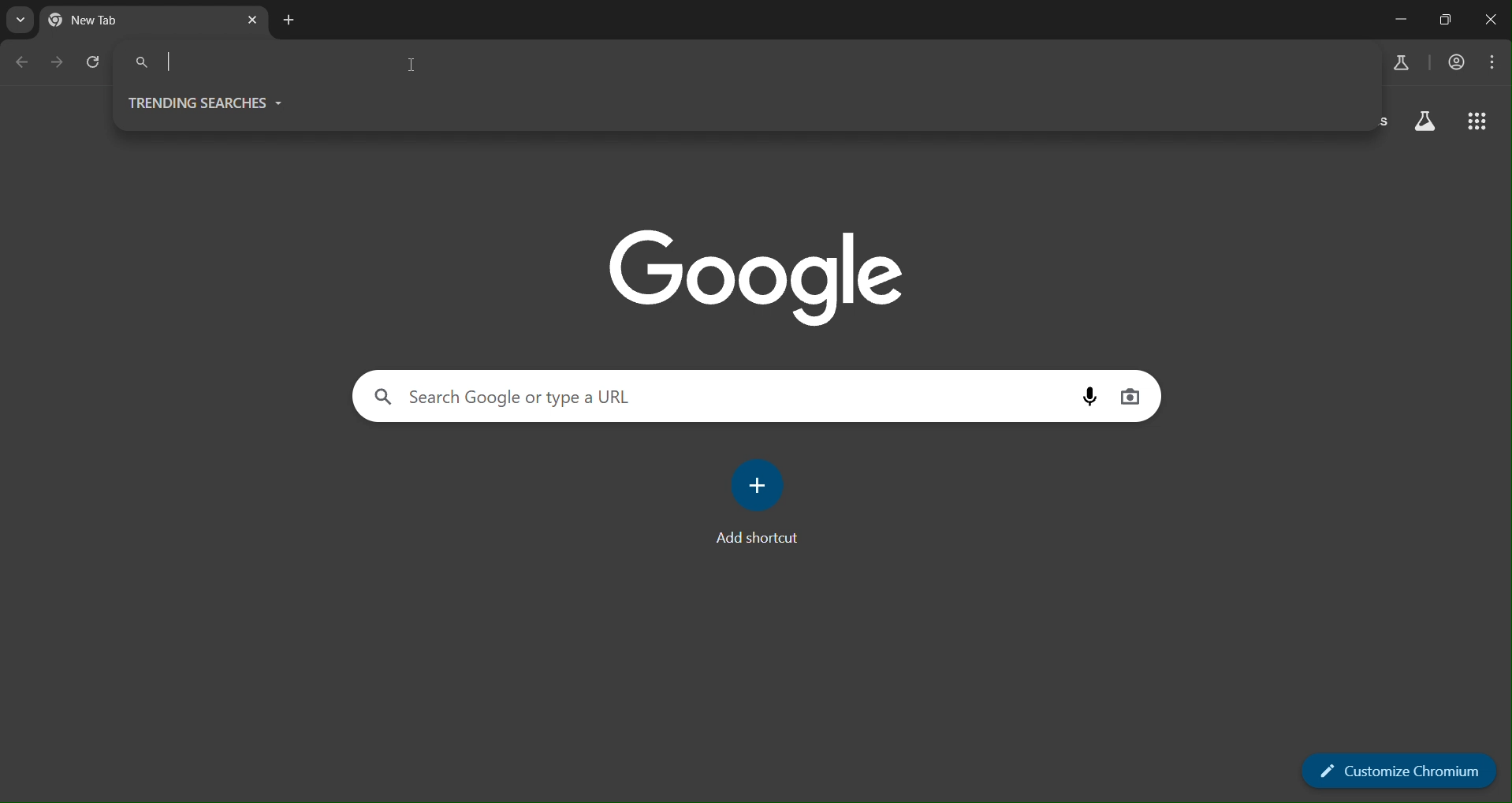 This screenshot has width=1512, height=803. Describe the element at coordinates (1398, 19) in the screenshot. I see `minimize` at that location.